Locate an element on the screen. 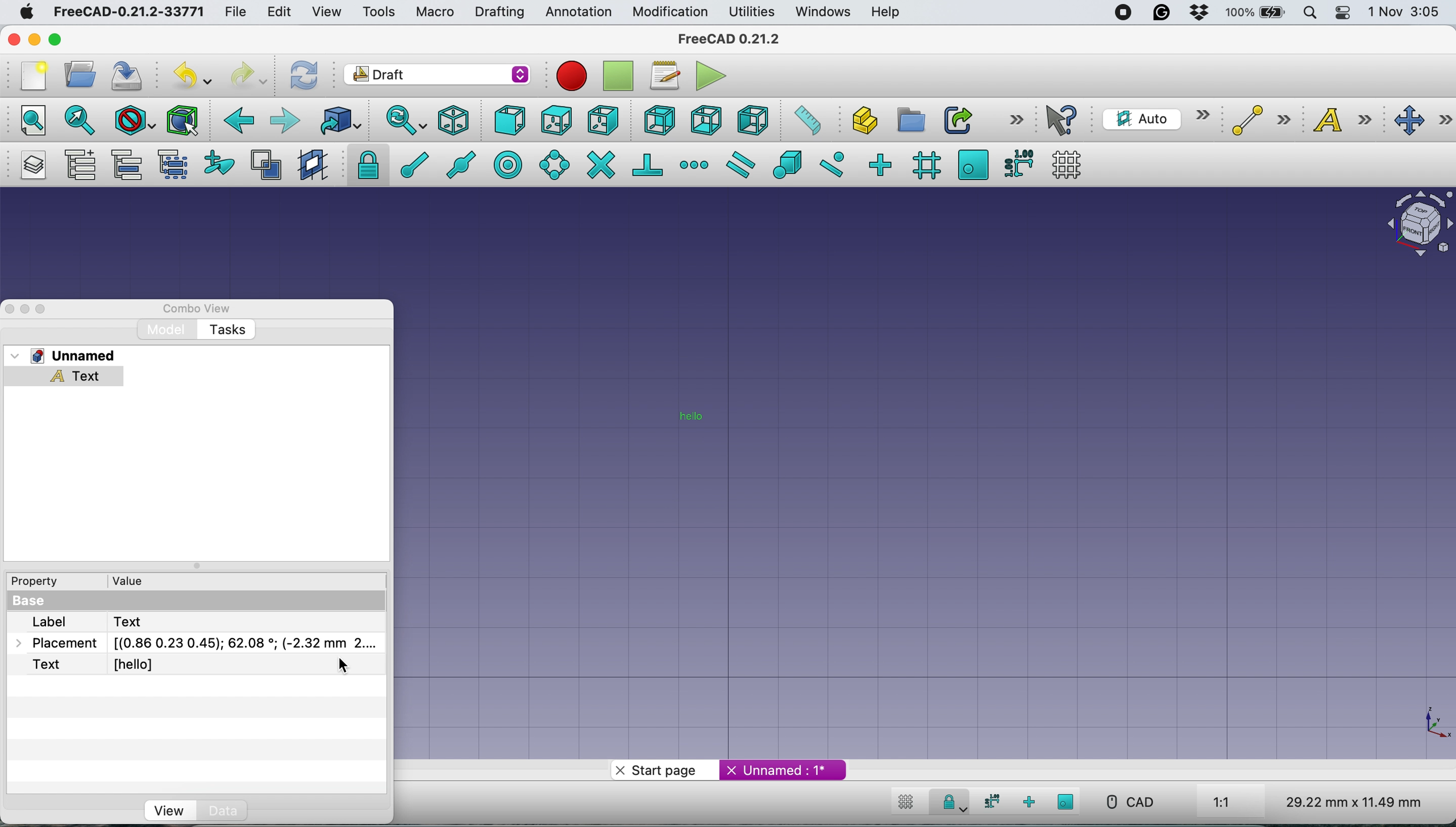 This screenshot has width=1456, height=827. combo view is located at coordinates (202, 310).